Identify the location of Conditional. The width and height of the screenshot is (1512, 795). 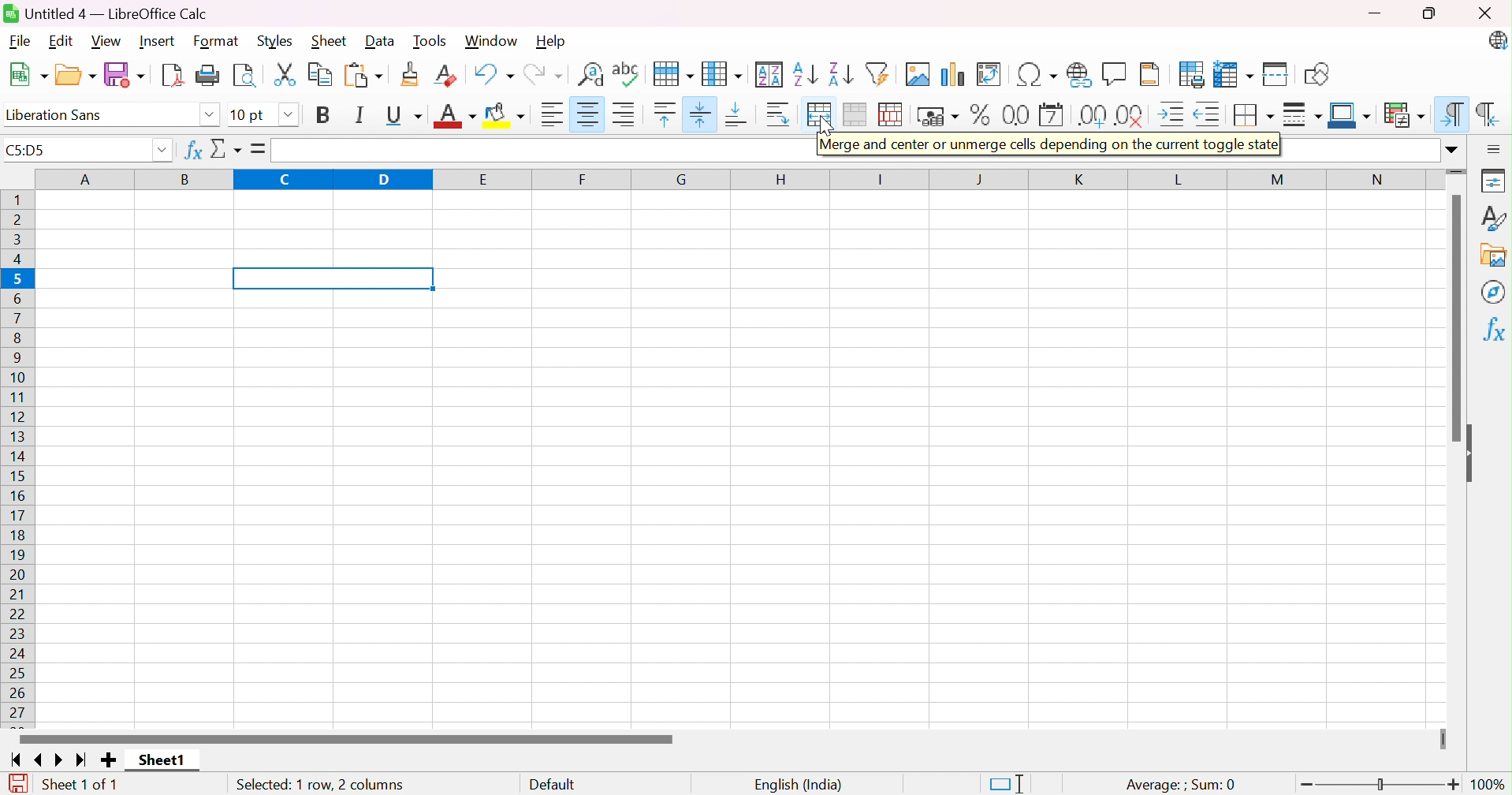
(1401, 112).